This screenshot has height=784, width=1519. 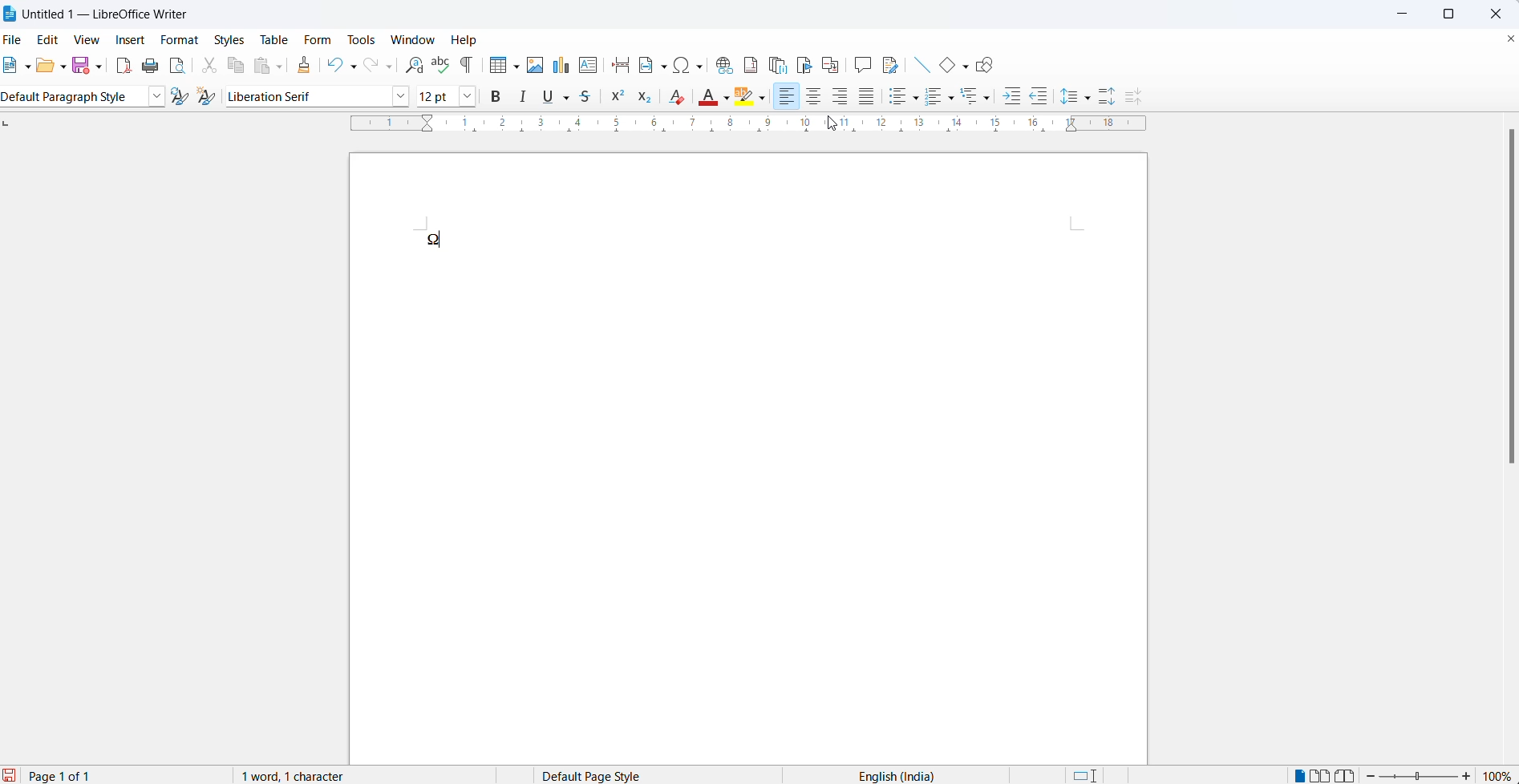 What do you see at coordinates (29, 67) in the screenshot?
I see `new options` at bounding box center [29, 67].